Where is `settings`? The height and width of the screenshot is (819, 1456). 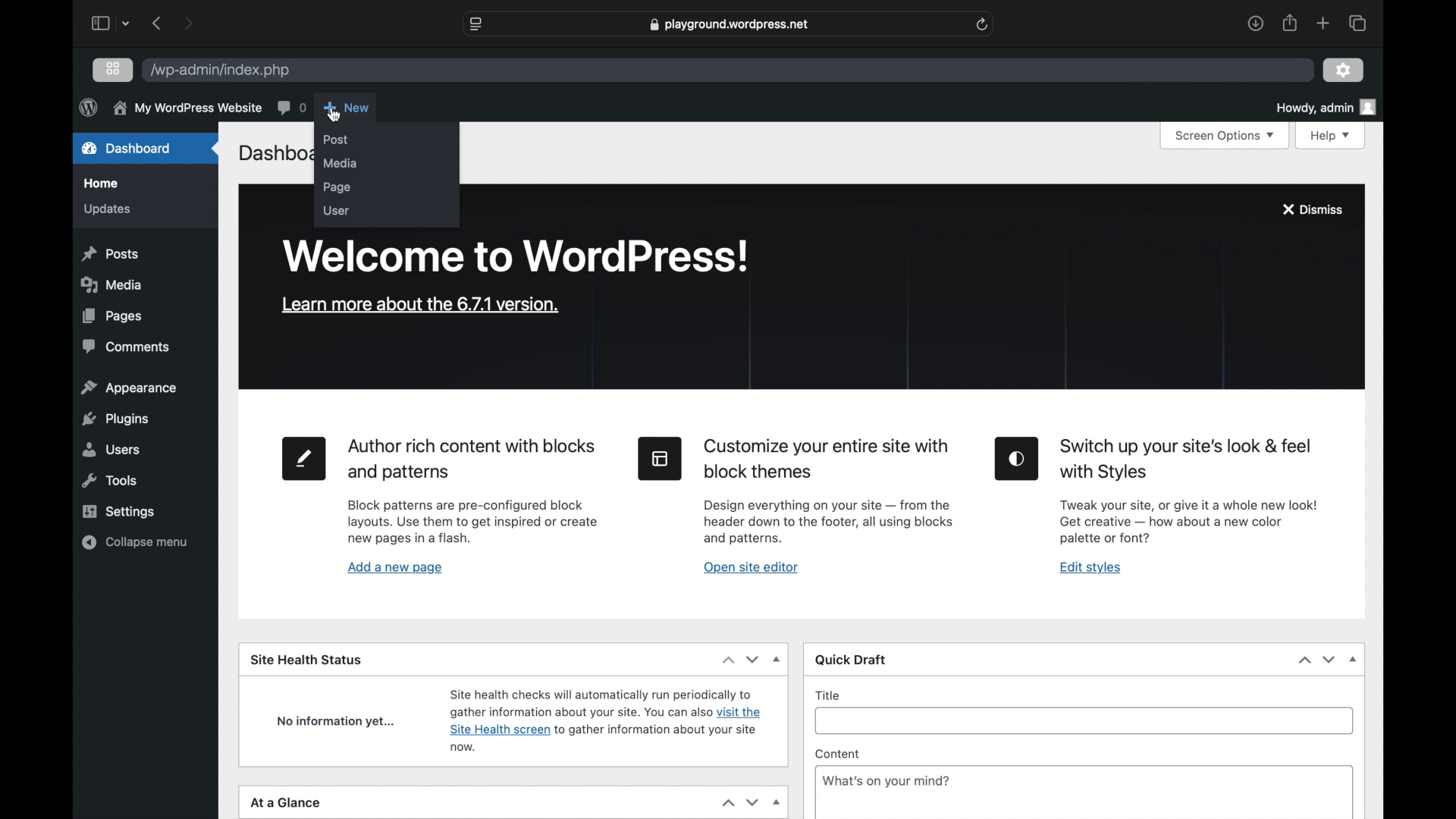
settings is located at coordinates (121, 512).